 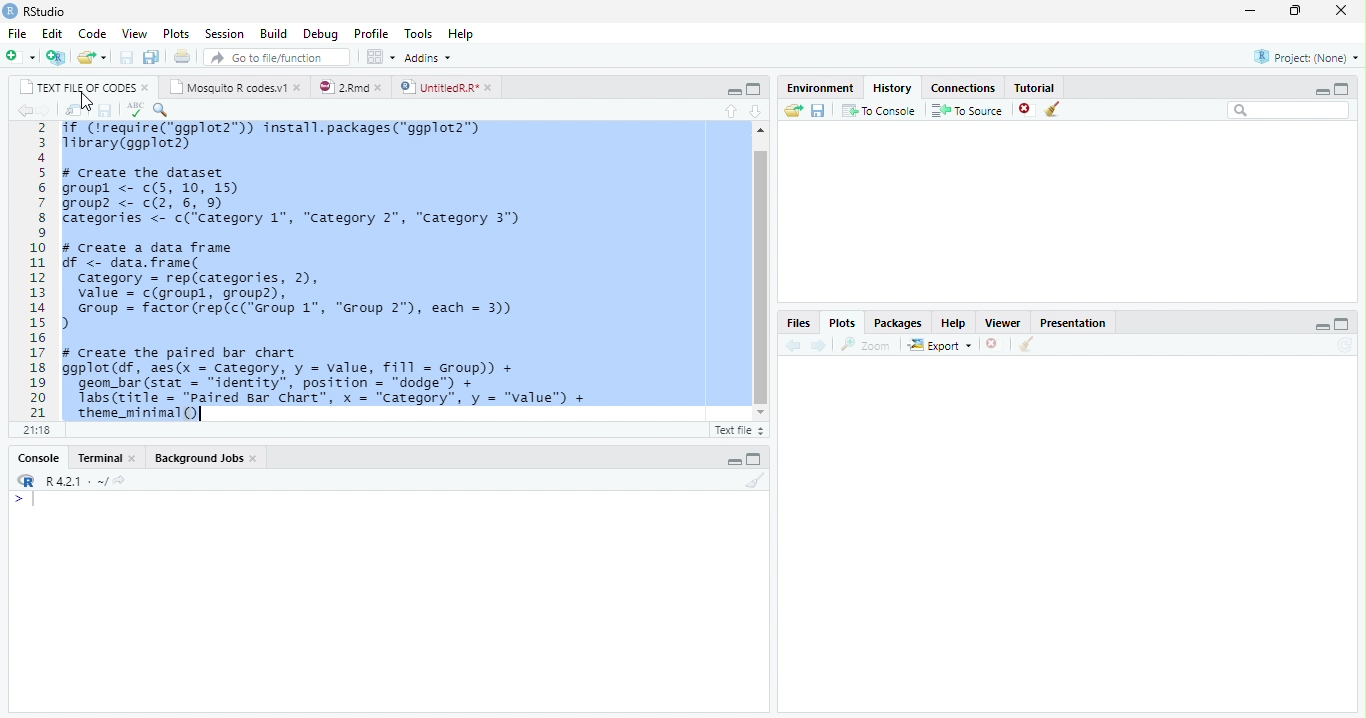 What do you see at coordinates (273, 31) in the screenshot?
I see `build` at bounding box center [273, 31].